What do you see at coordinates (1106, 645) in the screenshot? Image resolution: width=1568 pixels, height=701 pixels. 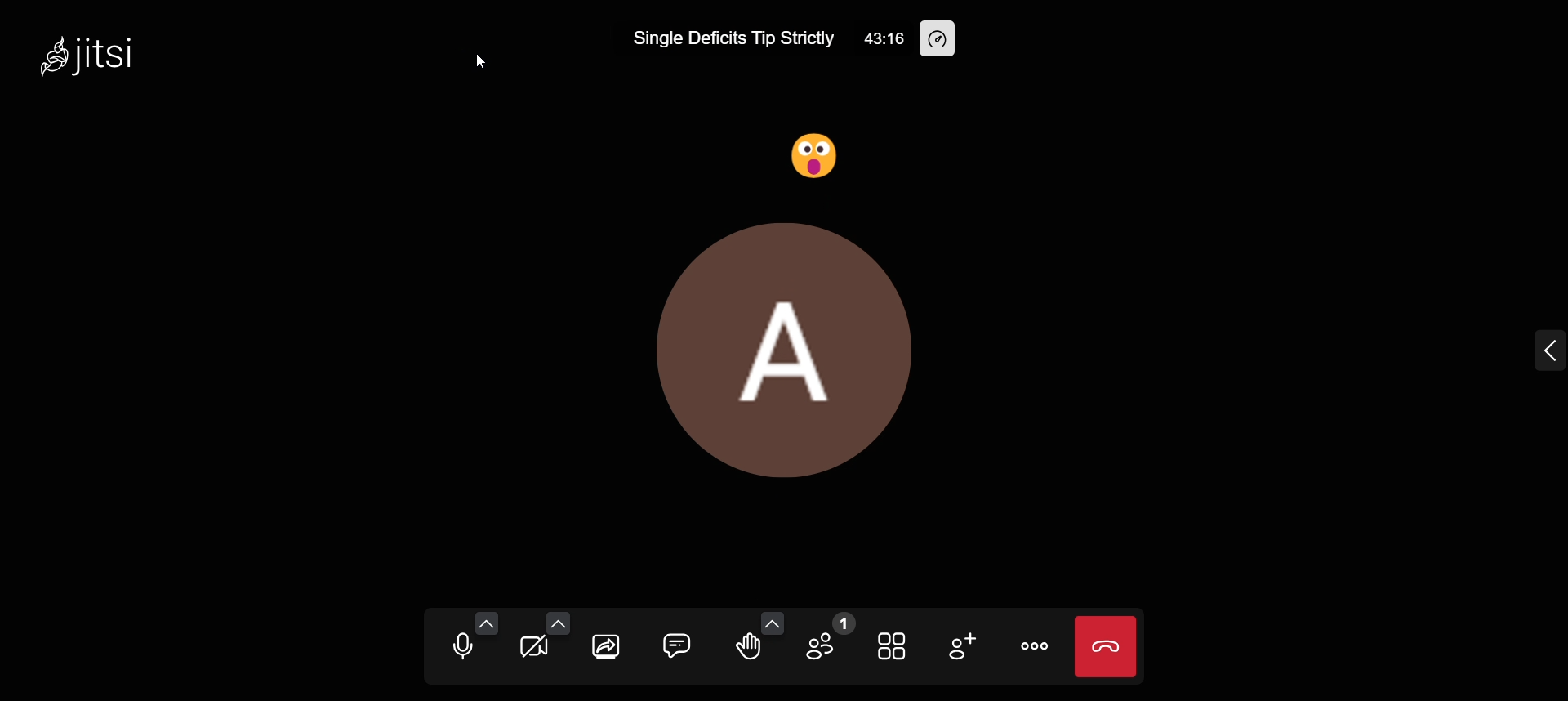 I see `end call` at bounding box center [1106, 645].